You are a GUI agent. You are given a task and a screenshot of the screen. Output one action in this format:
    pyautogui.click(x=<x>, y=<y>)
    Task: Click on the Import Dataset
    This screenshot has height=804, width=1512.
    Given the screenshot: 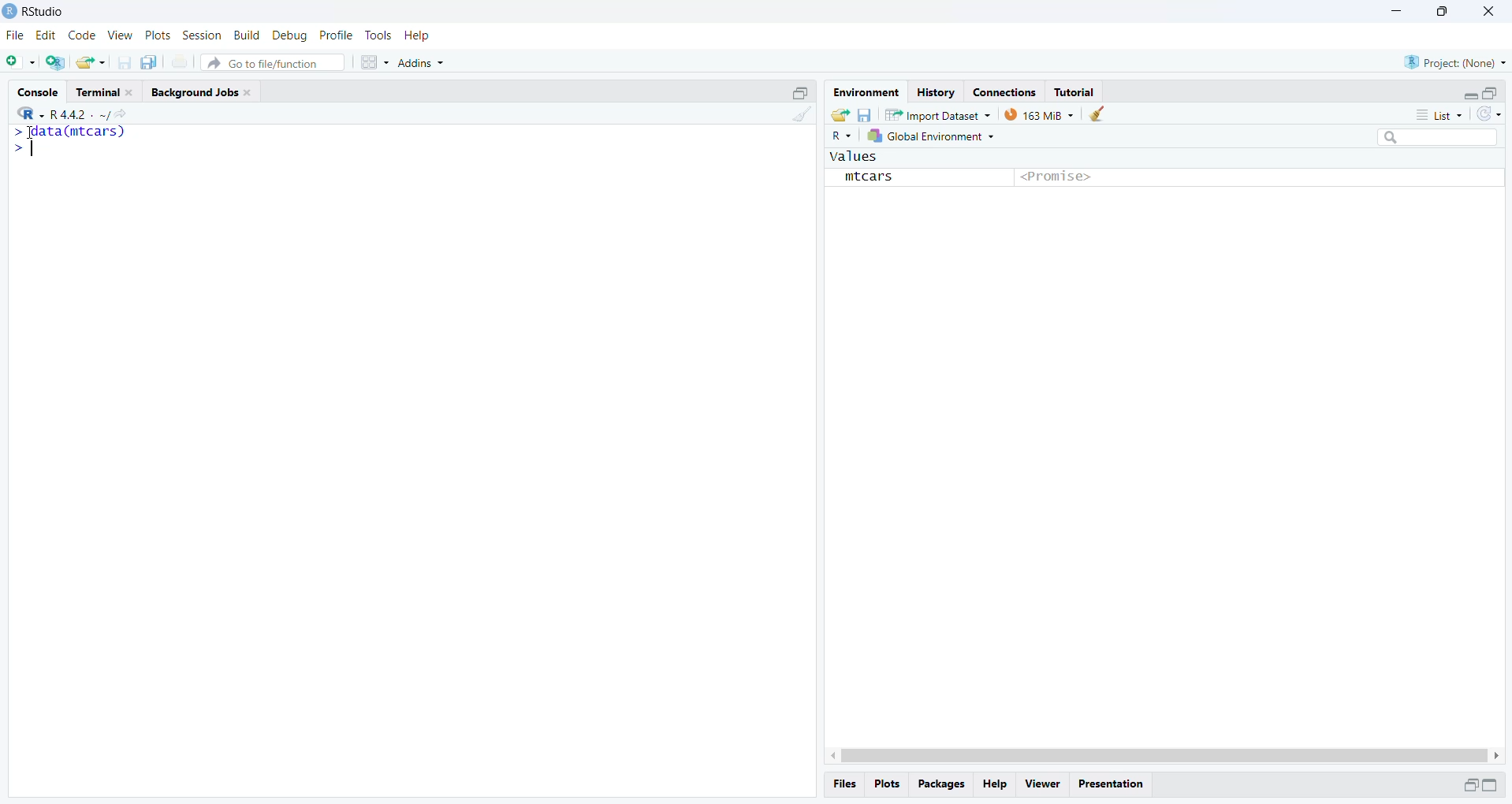 What is the action you would take?
    pyautogui.click(x=939, y=114)
    